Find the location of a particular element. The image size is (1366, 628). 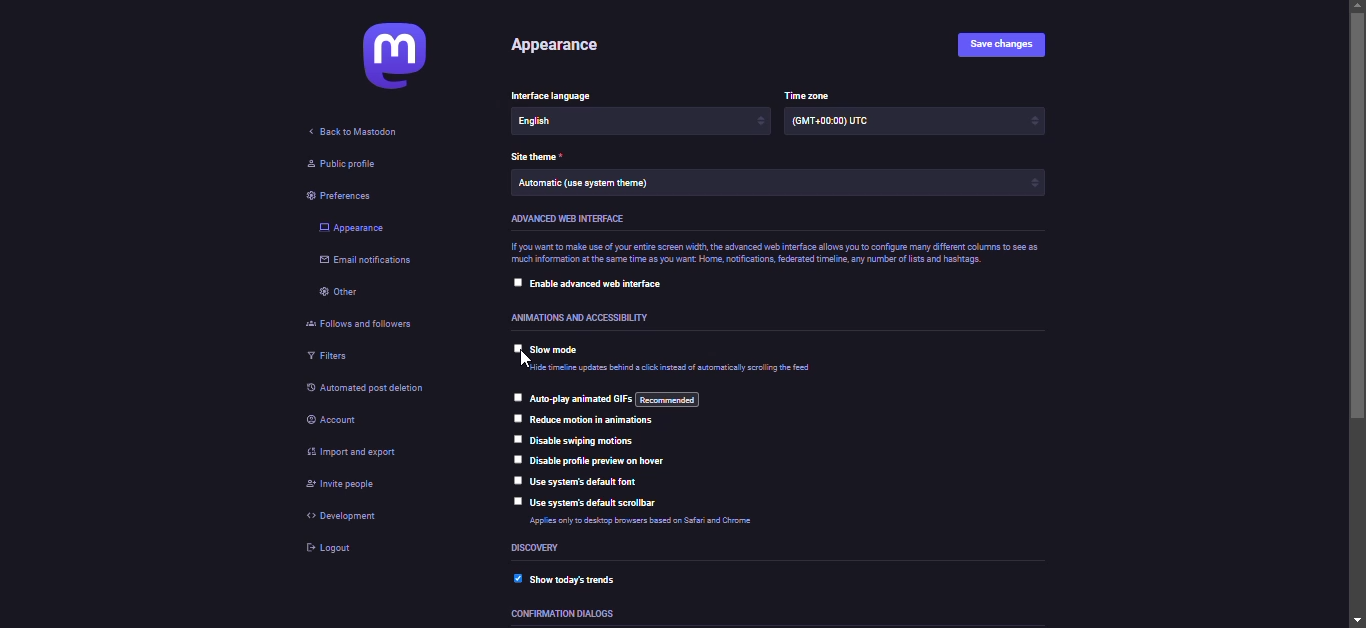

Applies only to desktop browsers based on Safari and Chrome is located at coordinates (663, 522).